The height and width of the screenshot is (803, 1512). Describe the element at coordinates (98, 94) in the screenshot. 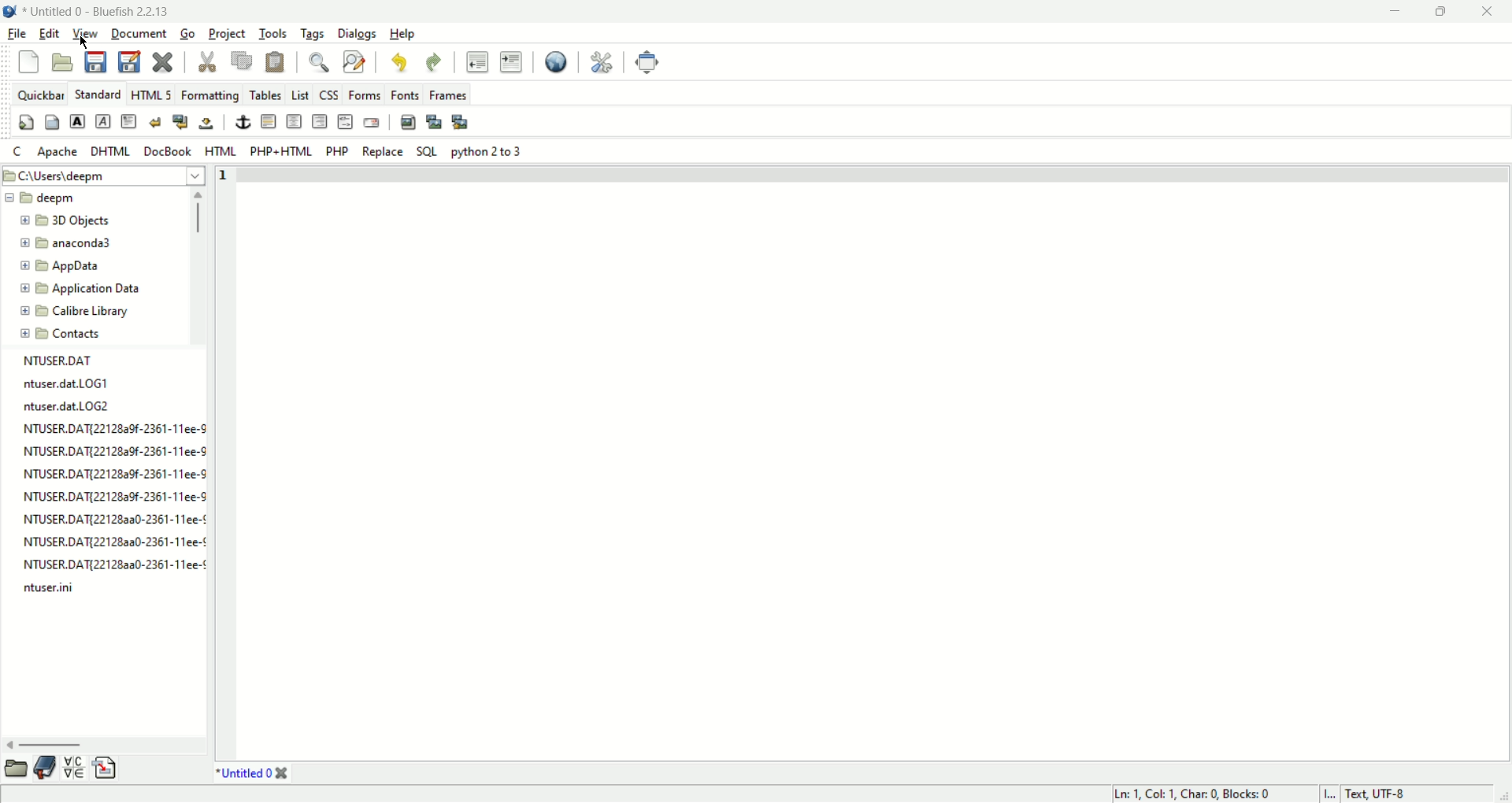

I see `standard` at that location.